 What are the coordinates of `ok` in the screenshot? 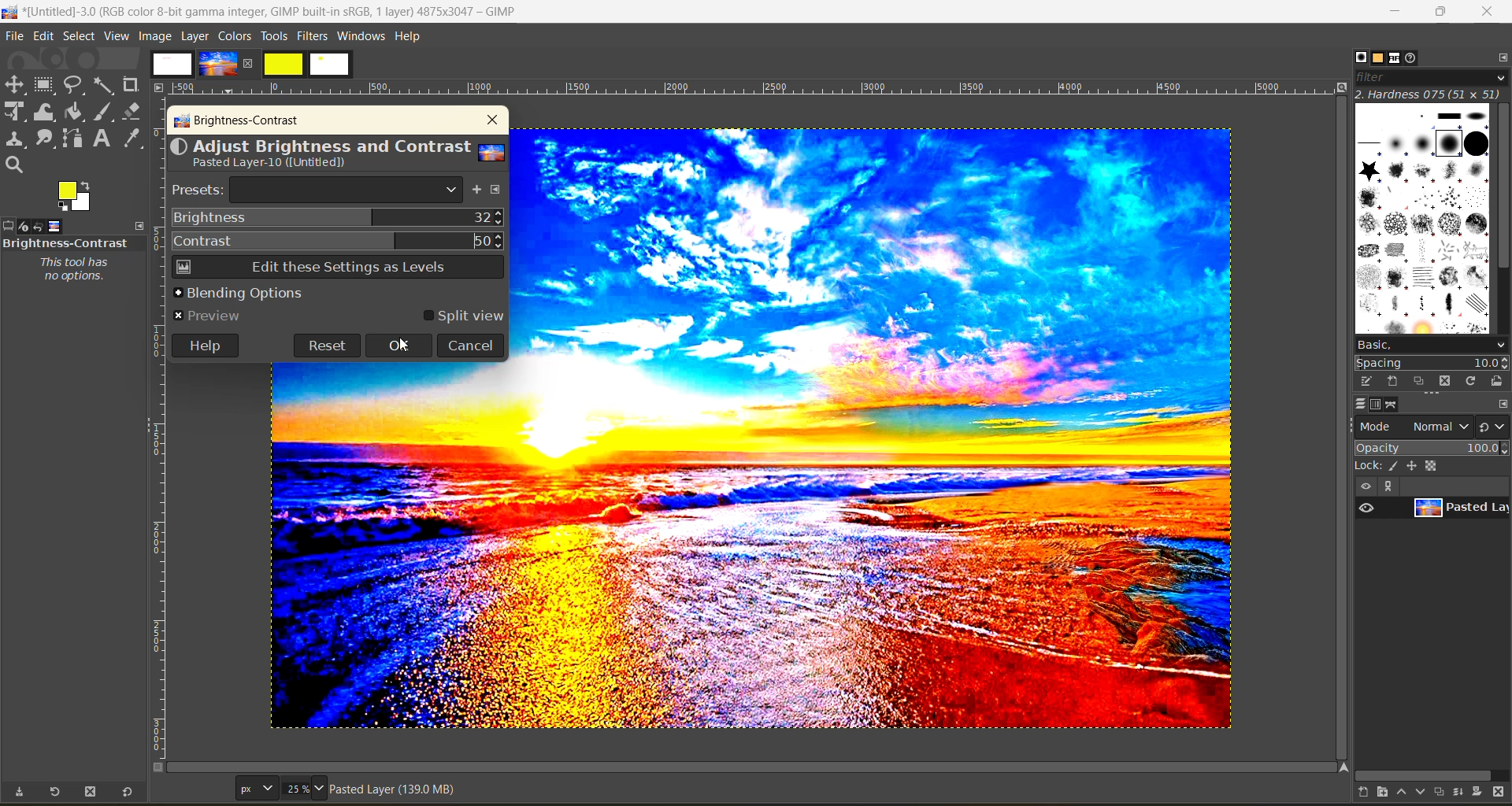 It's located at (399, 346).